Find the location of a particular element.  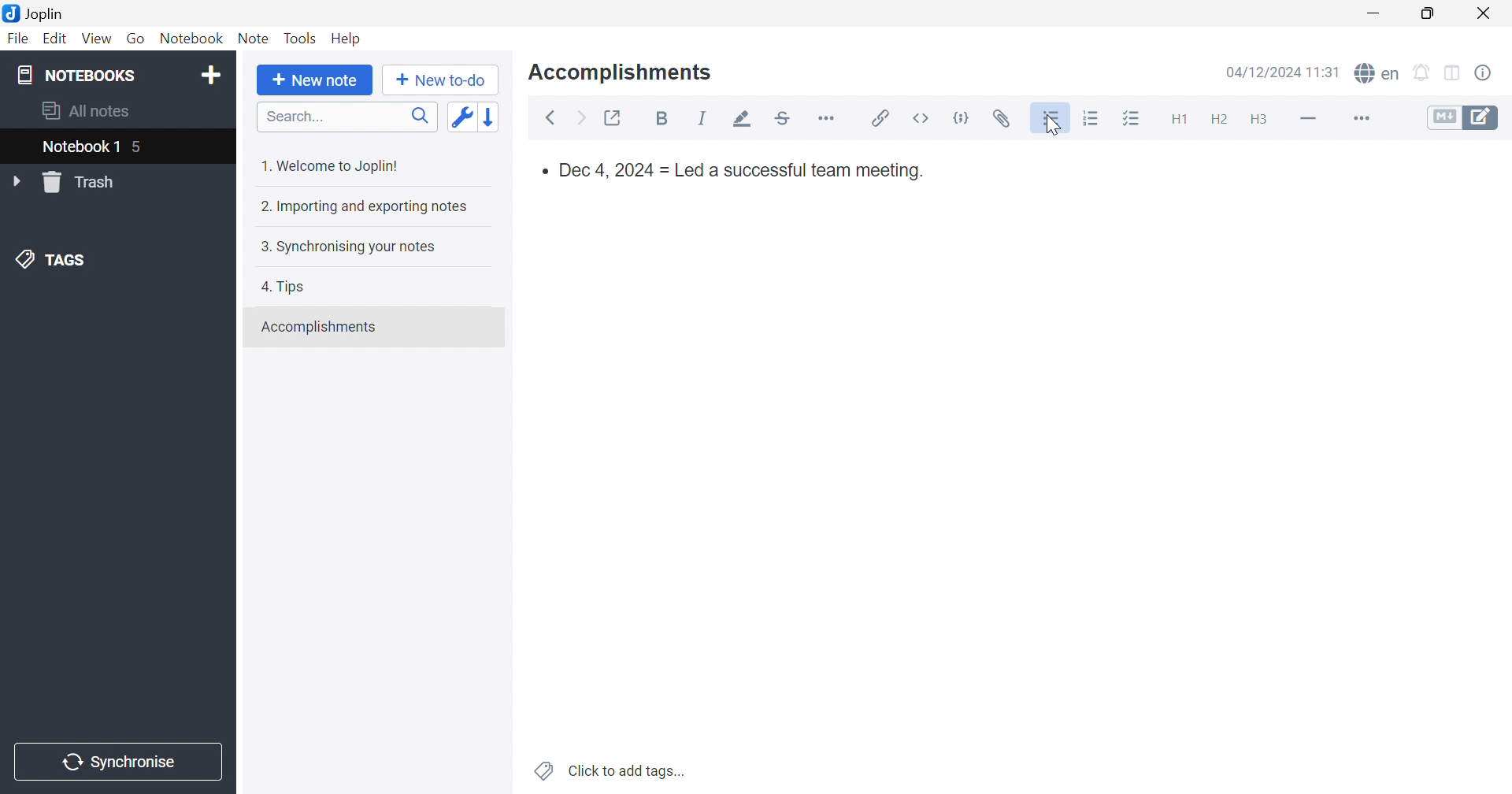

code is located at coordinates (962, 116).